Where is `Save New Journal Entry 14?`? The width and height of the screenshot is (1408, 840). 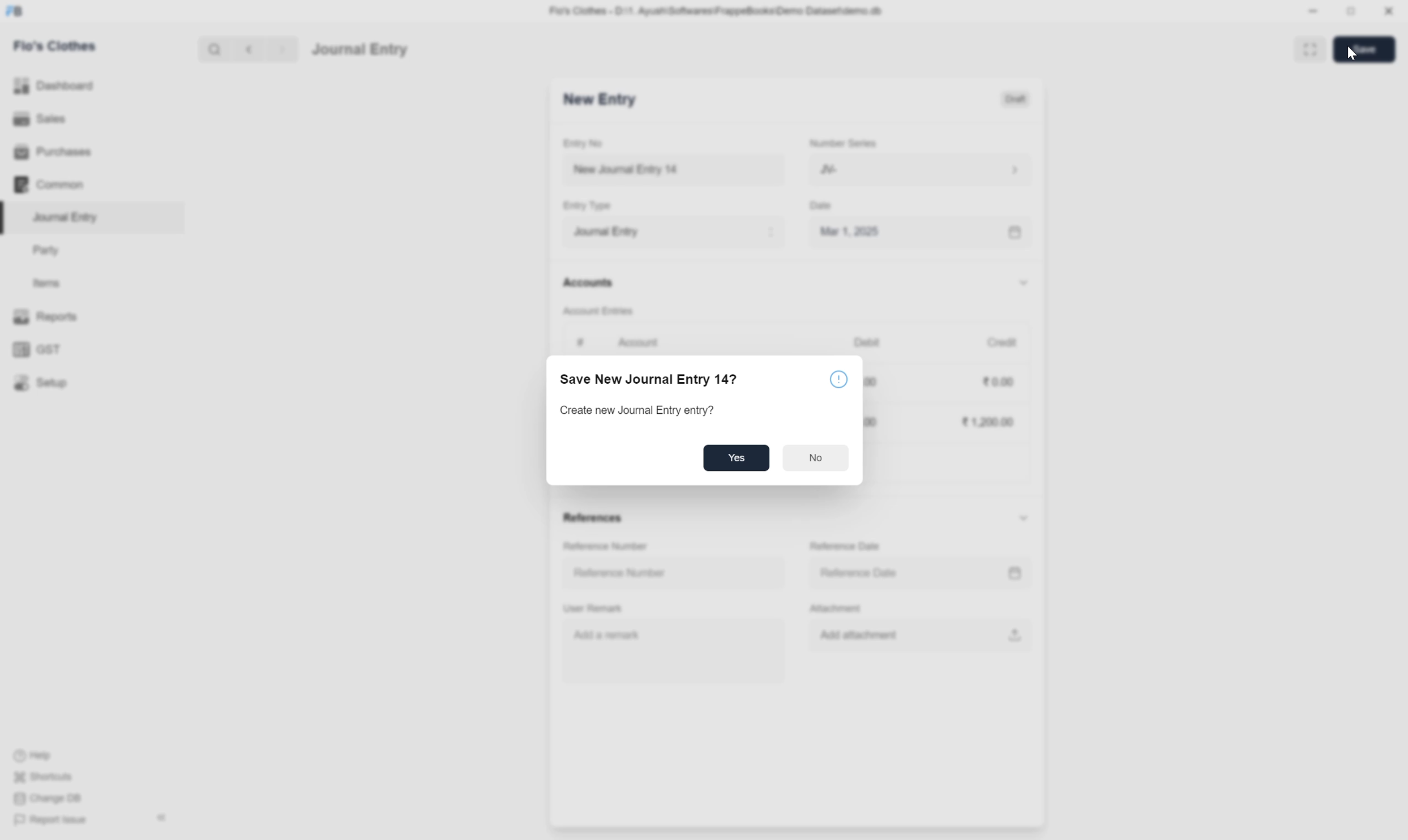 Save New Journal Entry 14? is located at coordinates (652, 380).